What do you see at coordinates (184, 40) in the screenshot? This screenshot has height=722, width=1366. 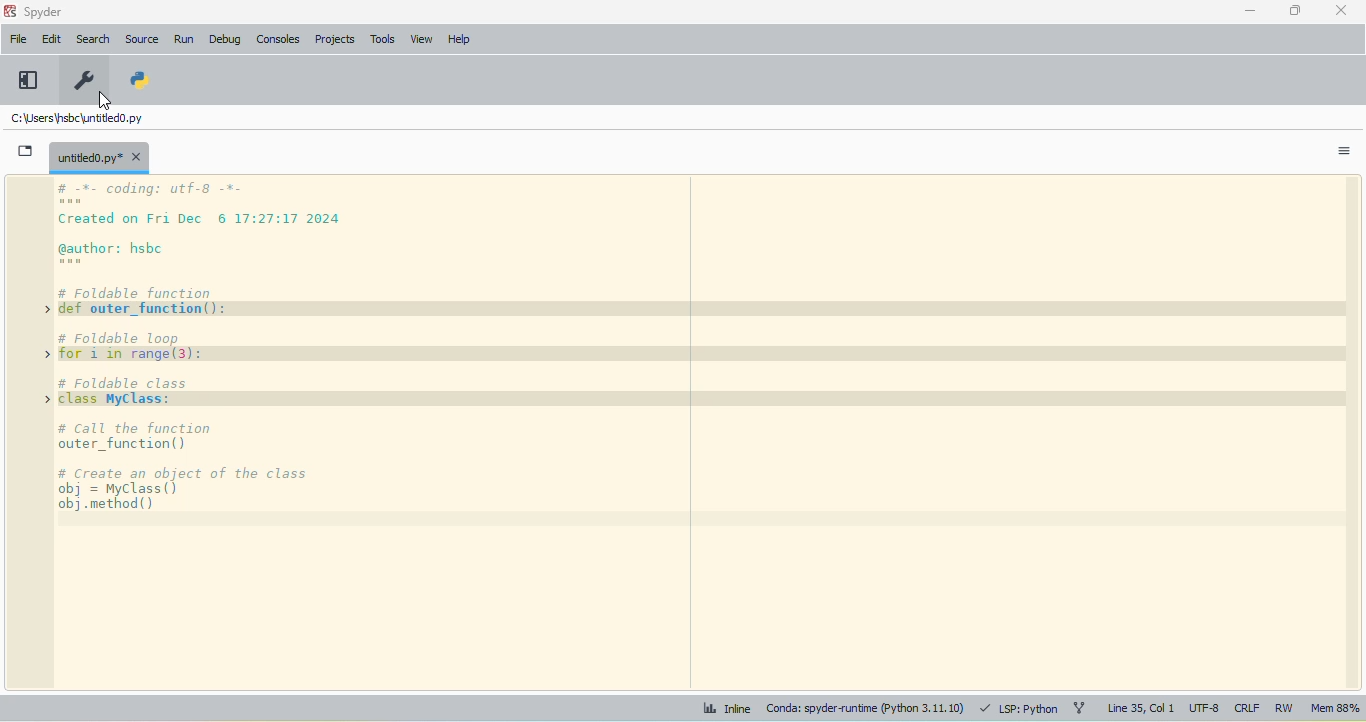 I see `run` at bounding box center [184, 40].